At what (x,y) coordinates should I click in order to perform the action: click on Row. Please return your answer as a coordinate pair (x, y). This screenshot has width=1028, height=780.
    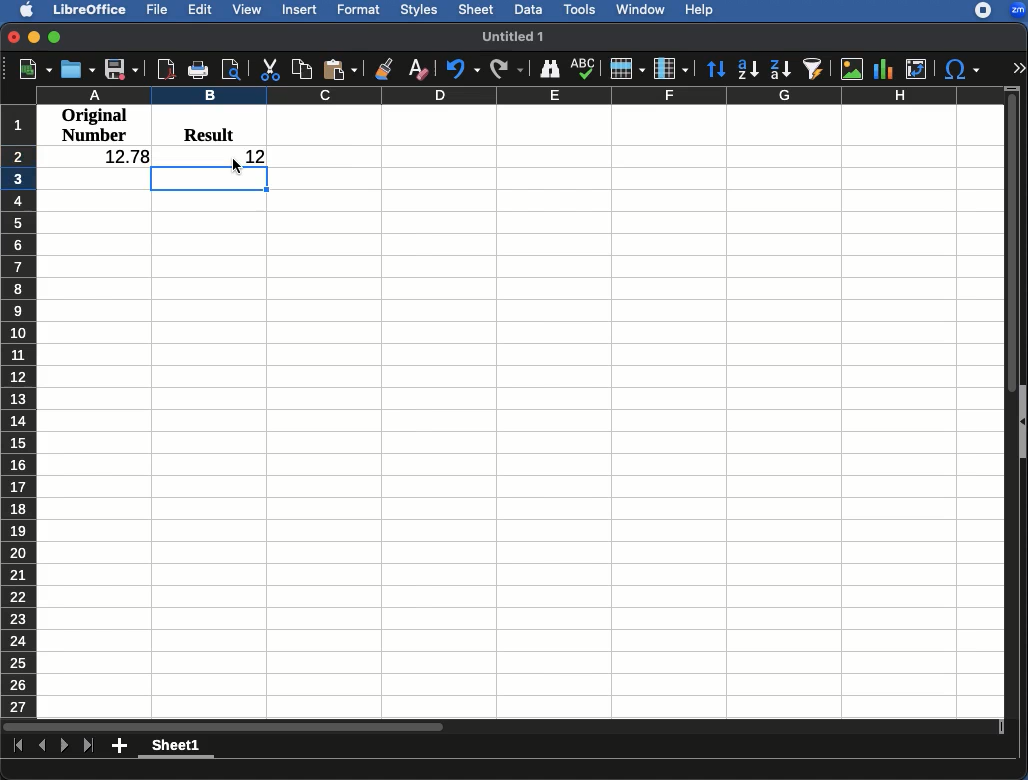
    Looking at the image, I should click on (627, 69).